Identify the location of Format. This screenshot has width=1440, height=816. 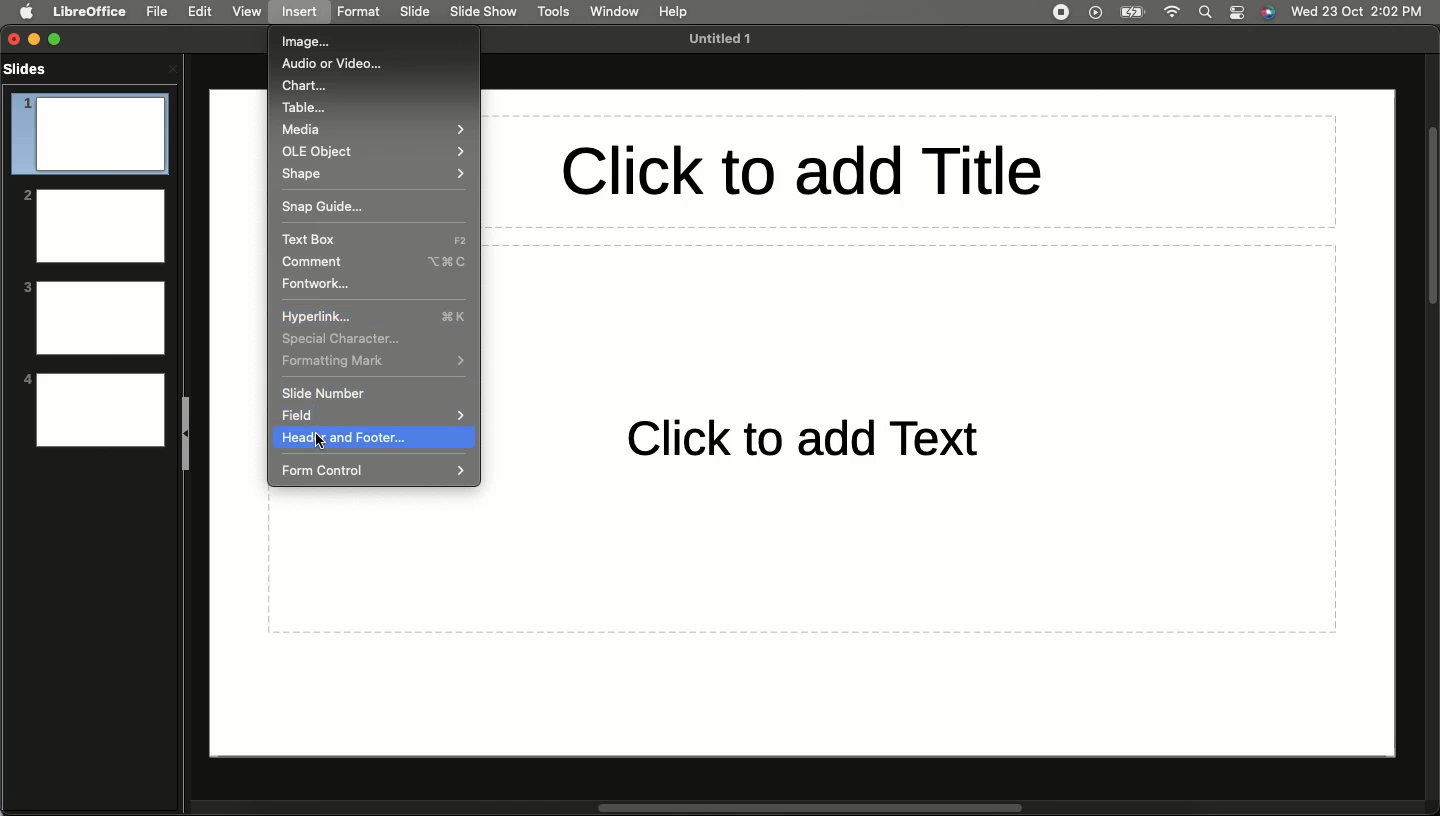
(359, 11).